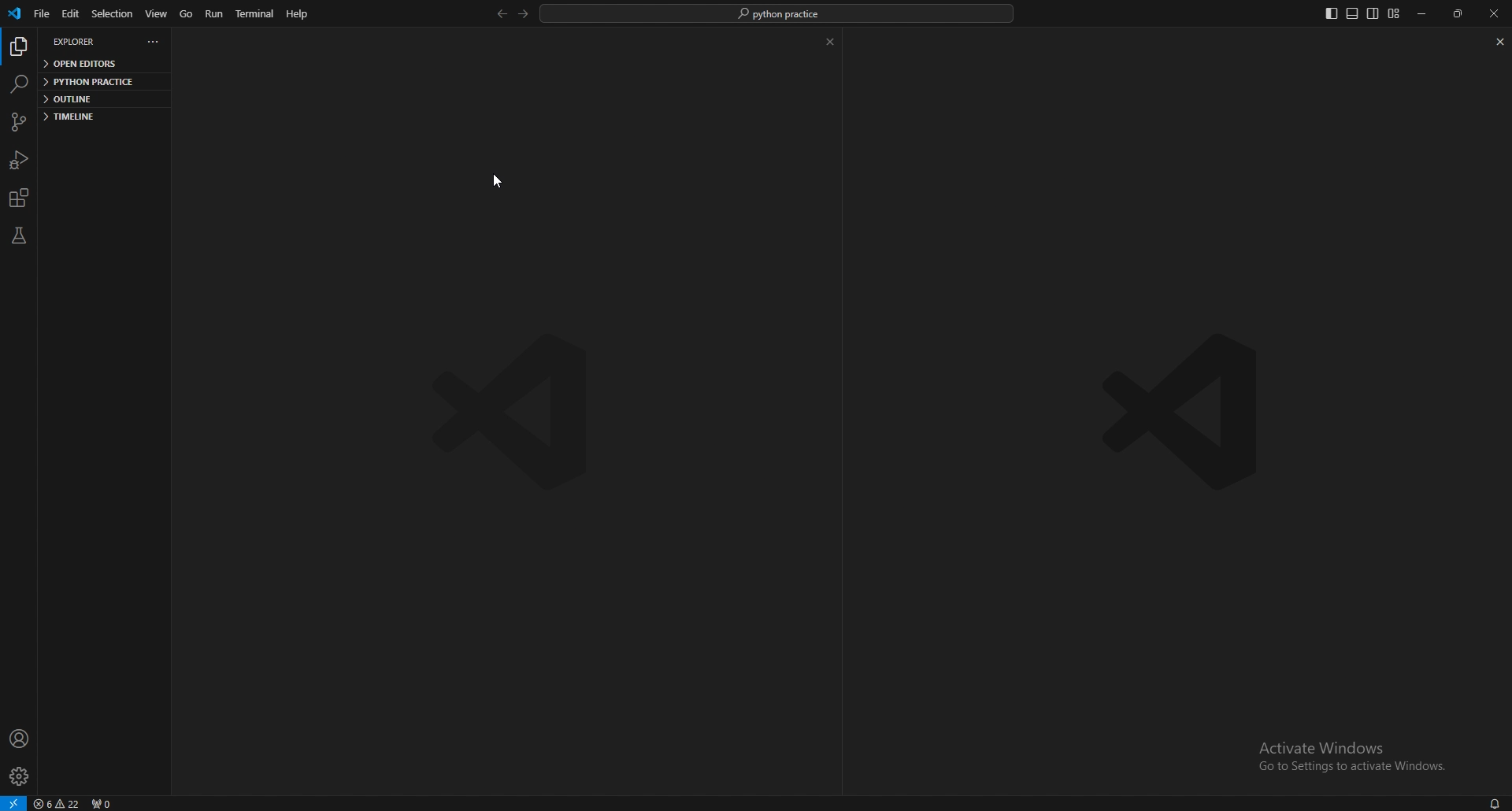  I want to click on toggle primary side bar, so click(1330, 13).